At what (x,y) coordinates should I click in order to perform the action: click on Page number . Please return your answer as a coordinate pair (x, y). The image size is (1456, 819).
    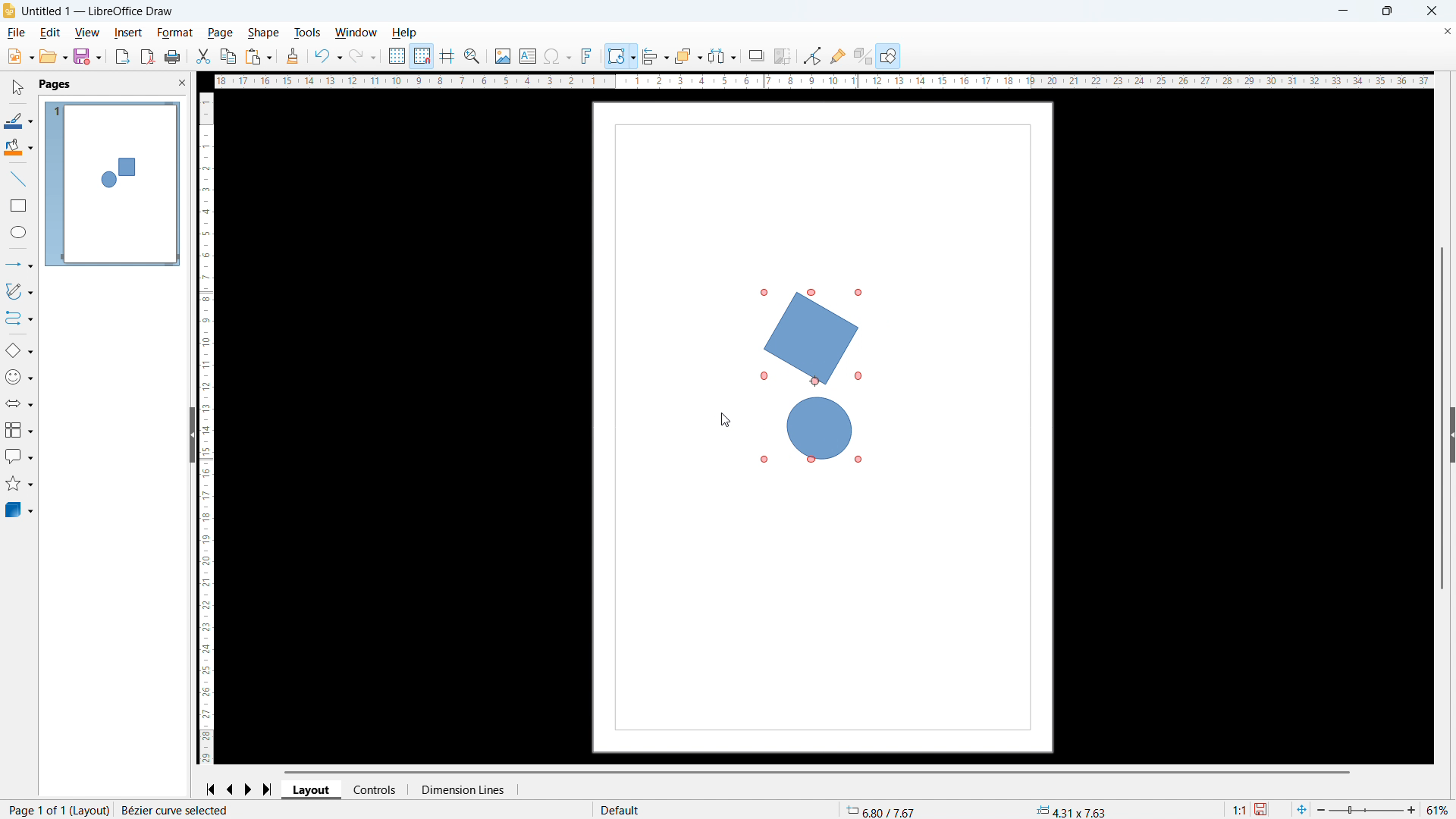
    Looking at the image, I should click on (58, 810).